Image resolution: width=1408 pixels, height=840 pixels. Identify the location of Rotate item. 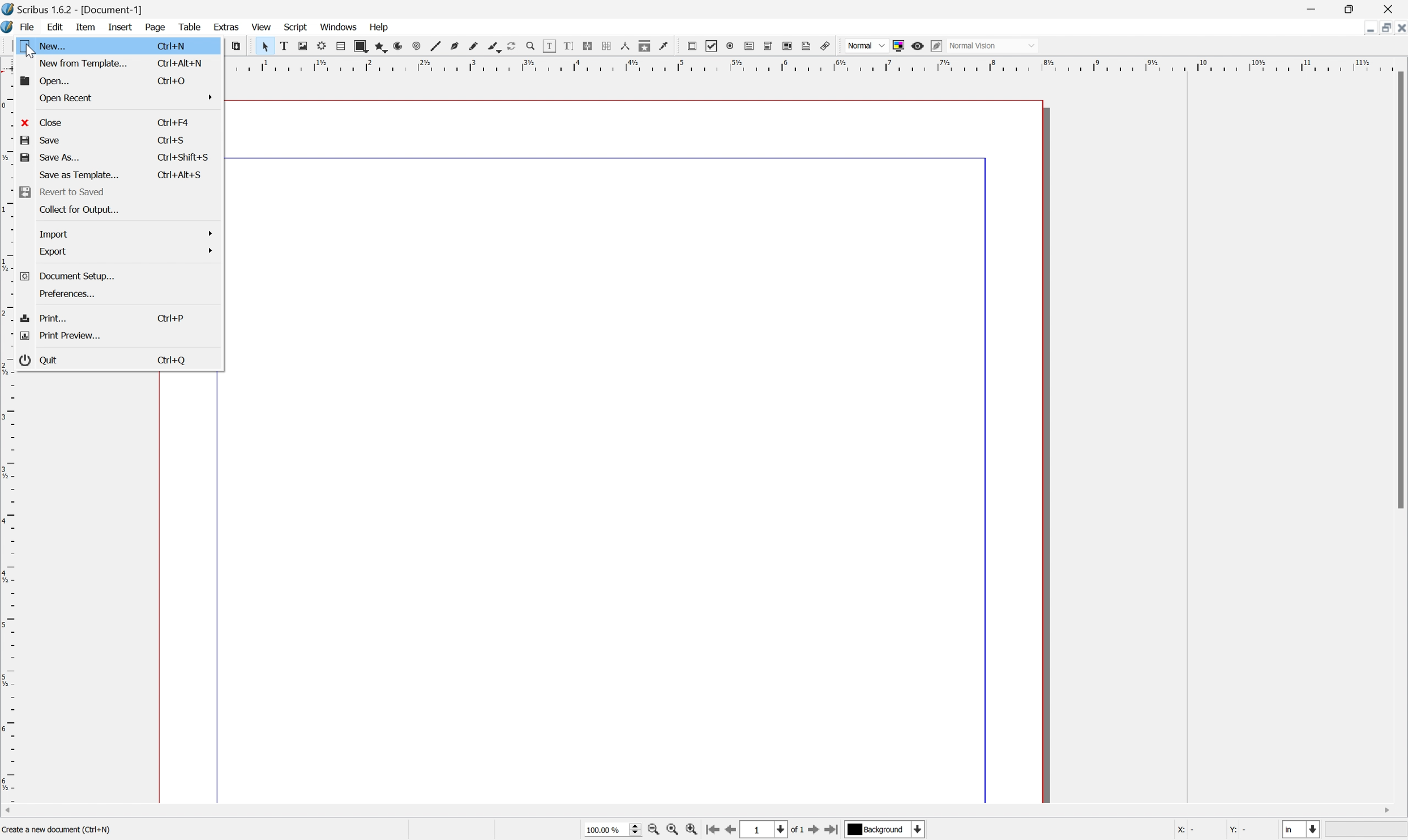
(511, 46).